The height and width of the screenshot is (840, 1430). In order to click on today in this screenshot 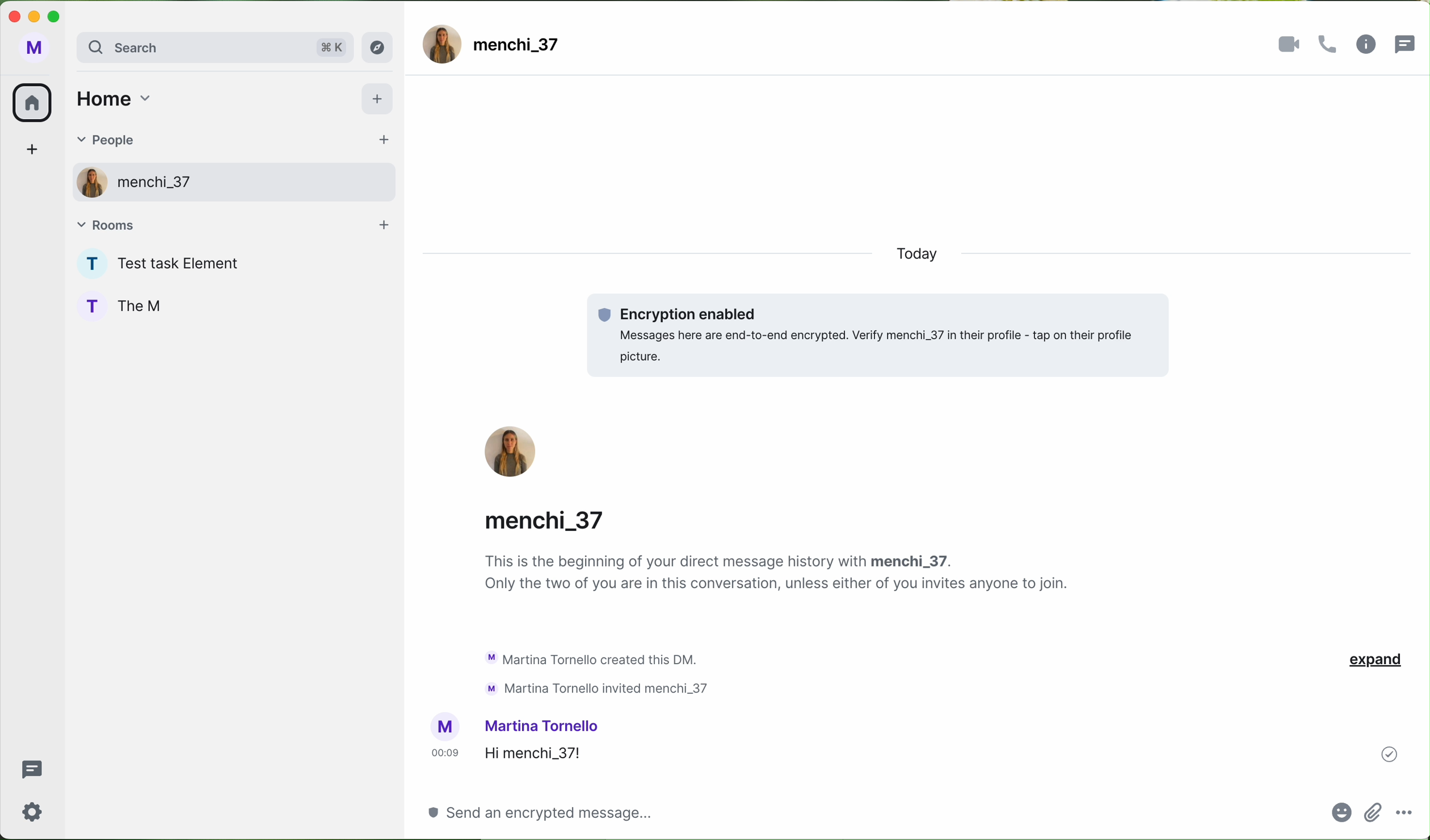, I will do `click(928, 256)`.